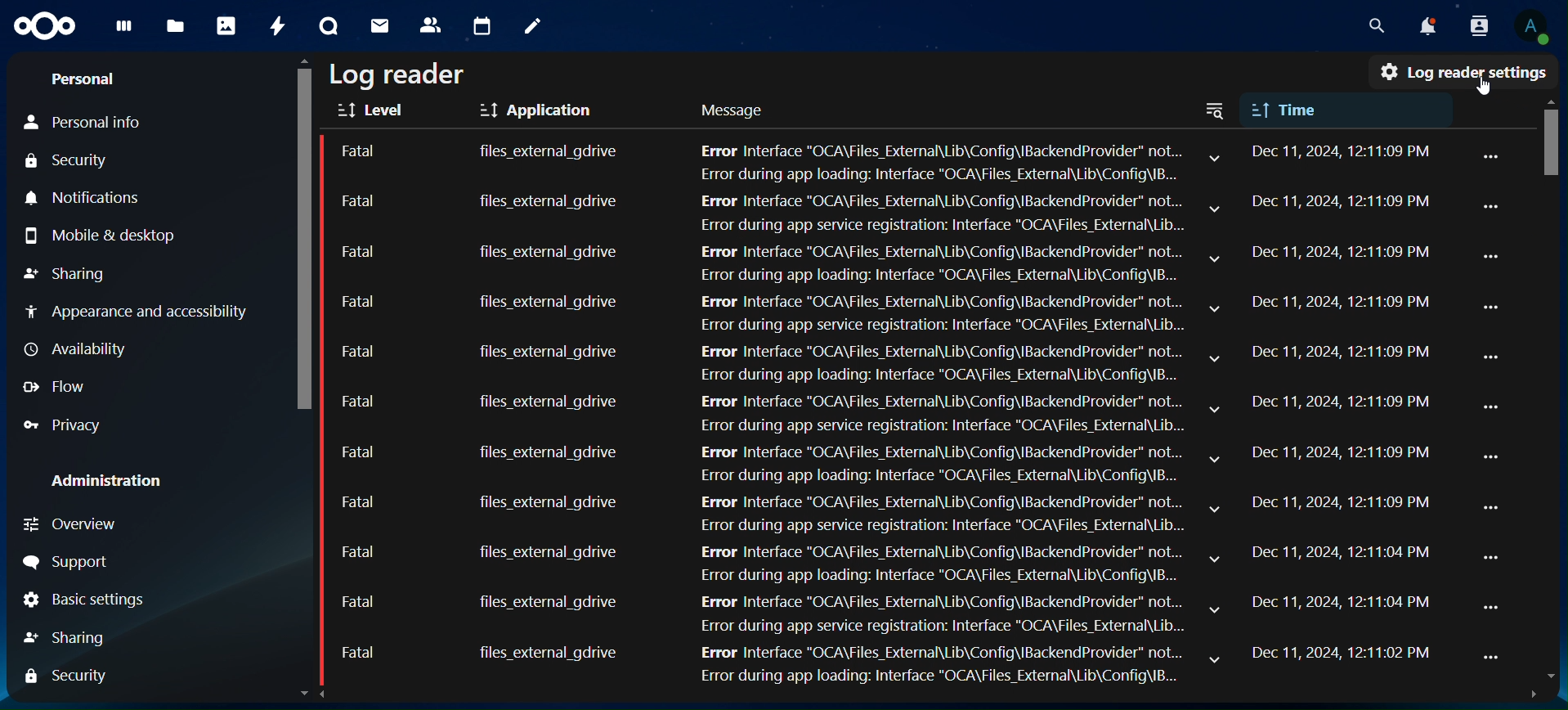 The width and height of the screenshot is (1568, 710). Describe the element at coordinates (87, 79) in the screenshot. I see `personal` at that location.